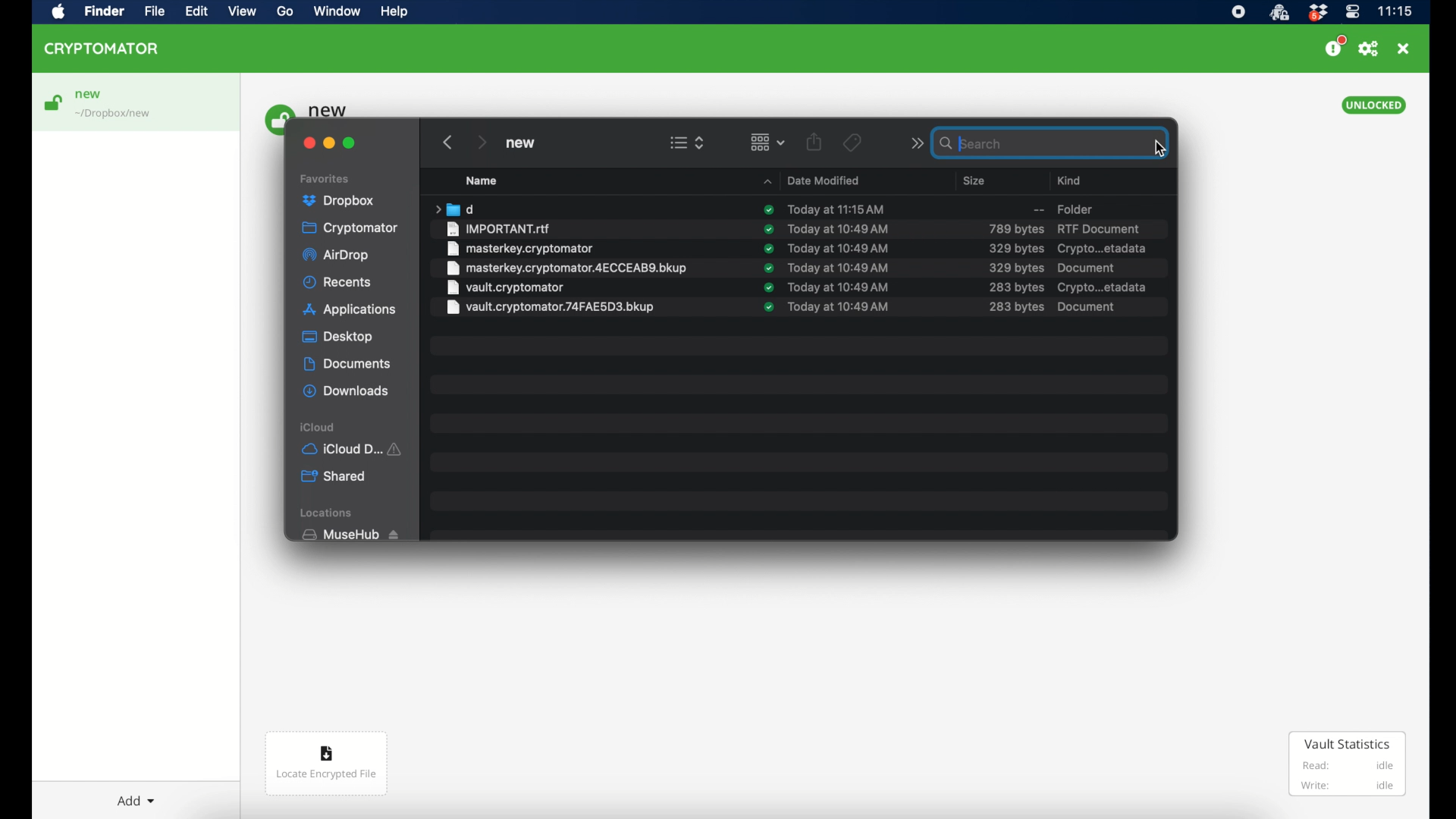  What do you see at coordinates (768, 248) in the screenshot?
I see `sync` at bounding box center [768, 248].